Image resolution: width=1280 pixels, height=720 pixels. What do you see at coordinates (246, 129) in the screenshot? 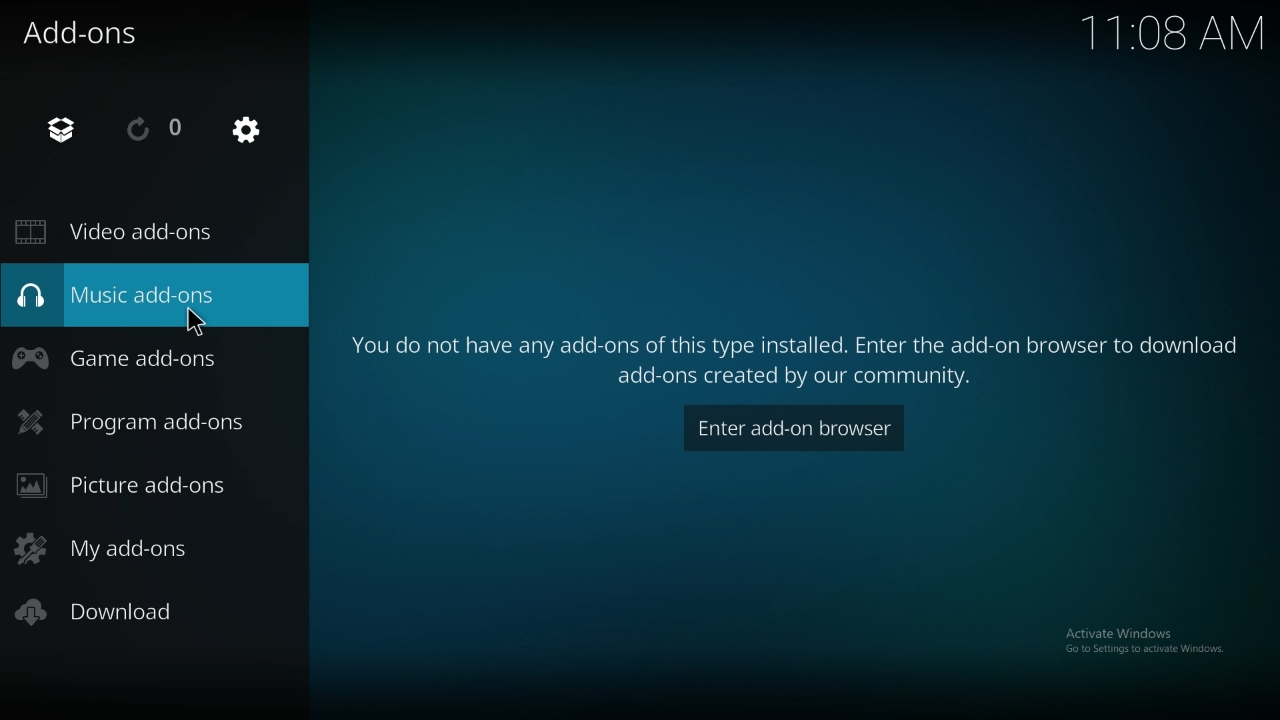
I see `settings` at bounding box center [246, 129].